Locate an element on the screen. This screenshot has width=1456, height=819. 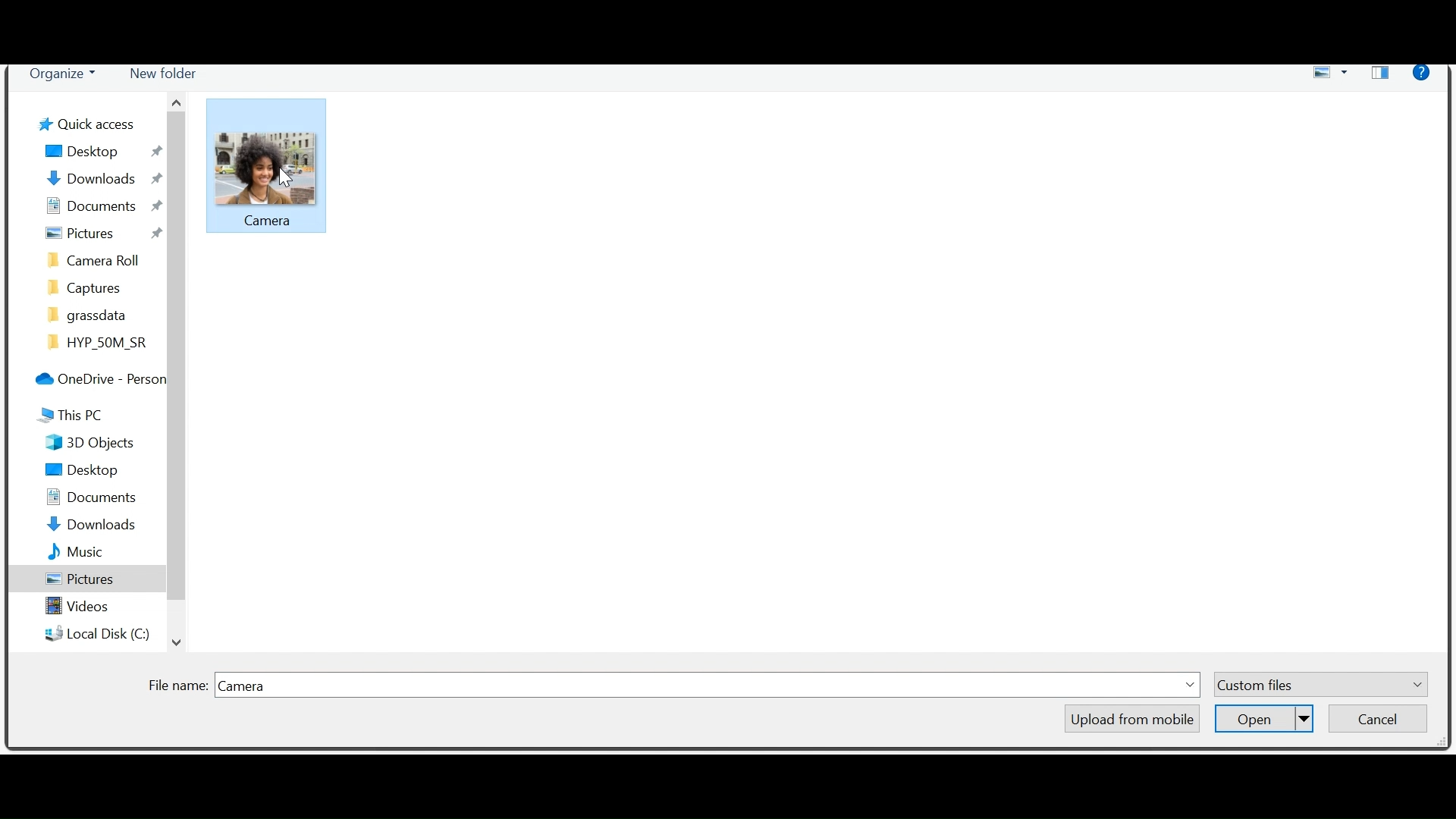
Field name is located at coordinates (708, 686).